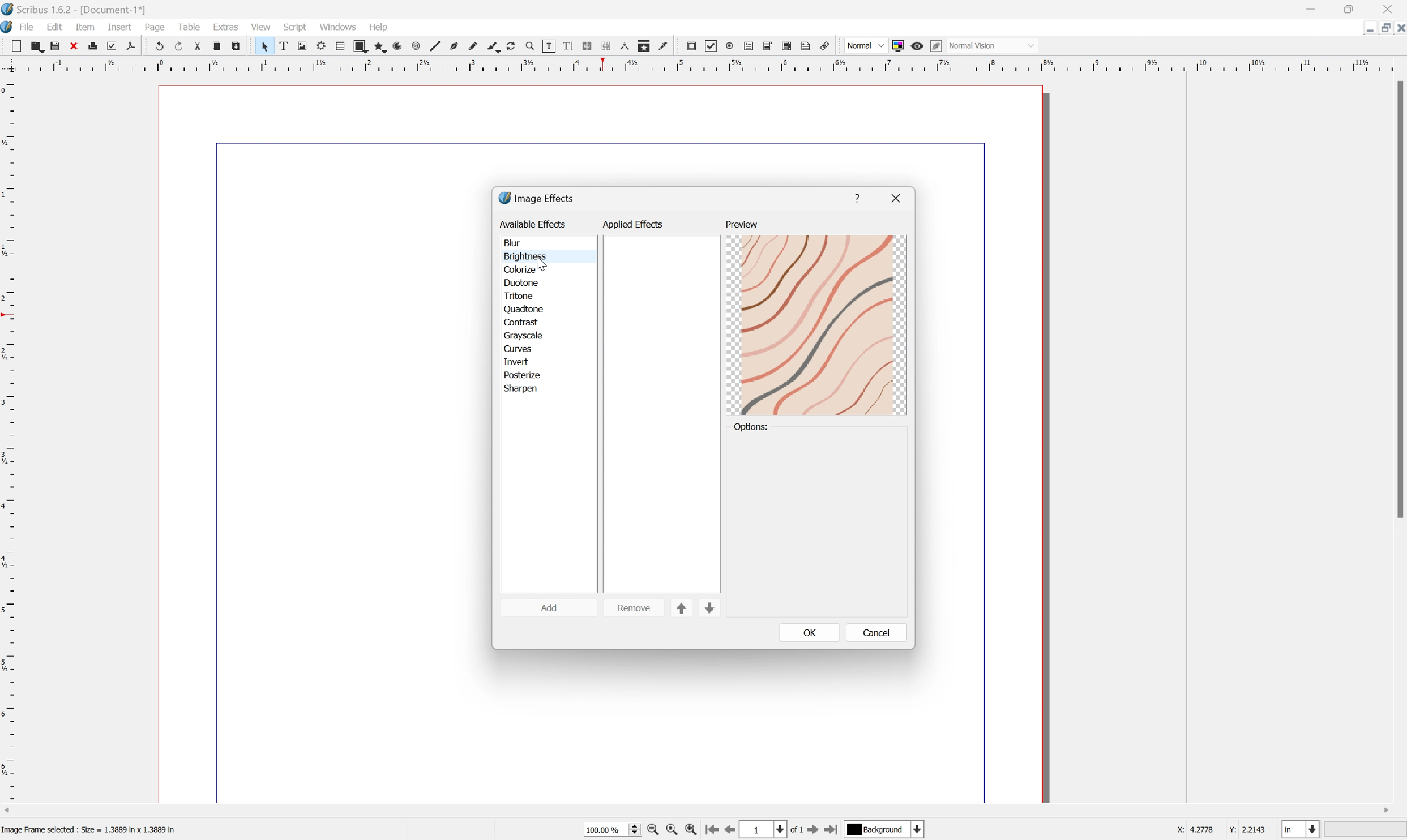  Describe the element at coordinates (322, 46) in the screenshot. I see `Render frame` at that location.